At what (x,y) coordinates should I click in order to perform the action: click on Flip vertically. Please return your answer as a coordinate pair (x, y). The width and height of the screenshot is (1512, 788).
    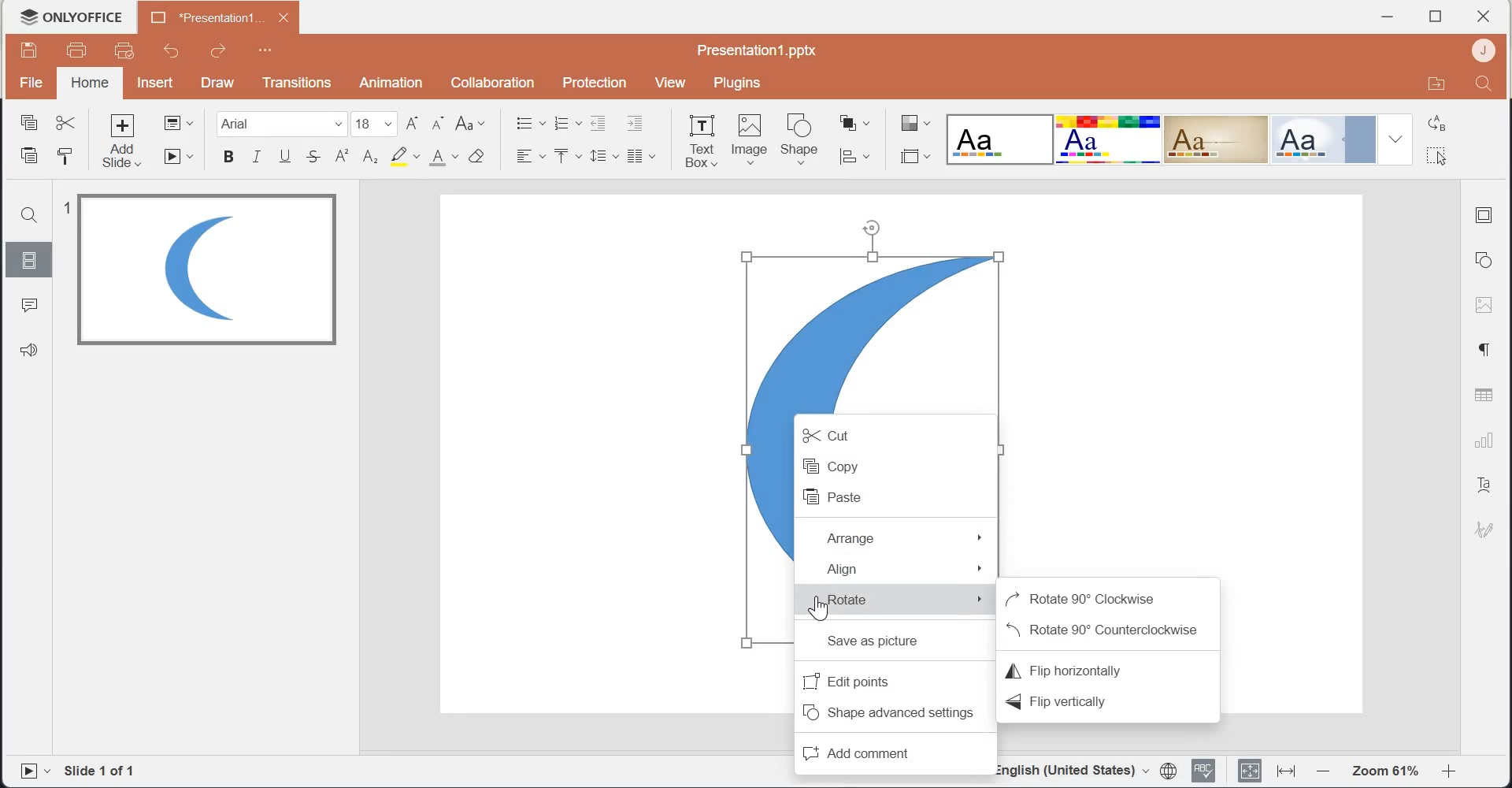
    Looking at the image, I should click on (1104, 701).